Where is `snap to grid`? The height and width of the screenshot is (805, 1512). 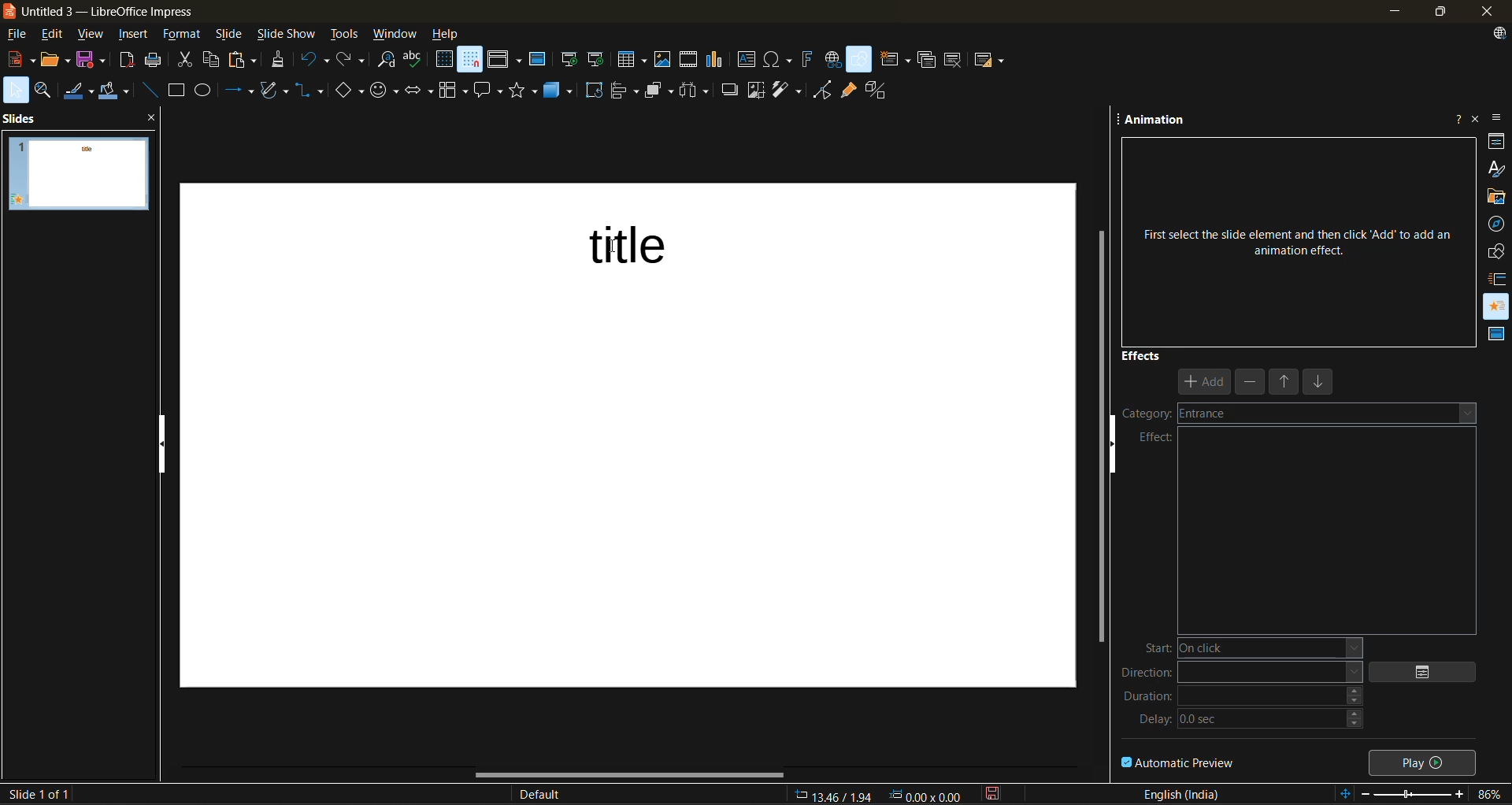
snap to grid is located at coordinates (471, 59).